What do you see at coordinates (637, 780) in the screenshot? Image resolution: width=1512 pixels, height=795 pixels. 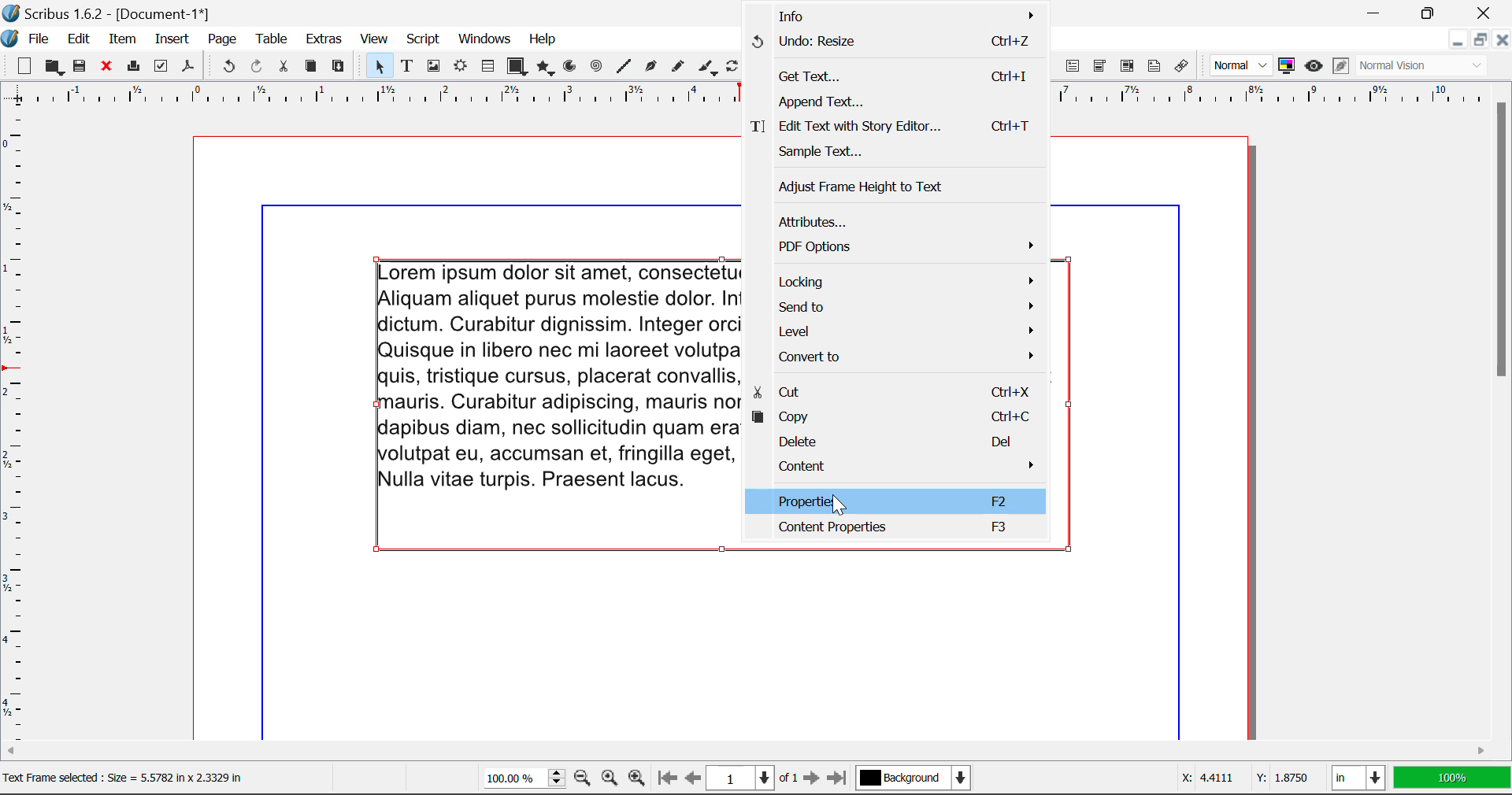 I see `Zoom In` at bounding box center [637, 780].